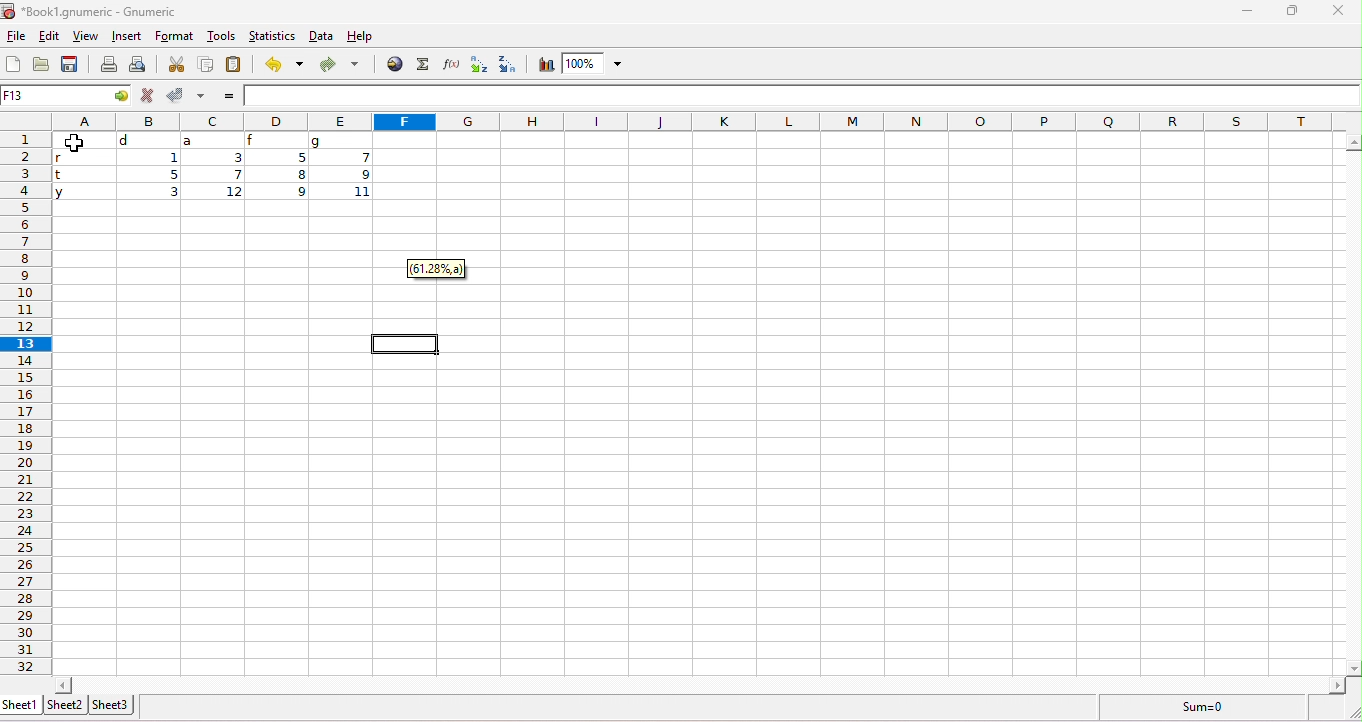  Describe the element at coordinates (146, 95) in the screenshot. I see `reject` at that location.